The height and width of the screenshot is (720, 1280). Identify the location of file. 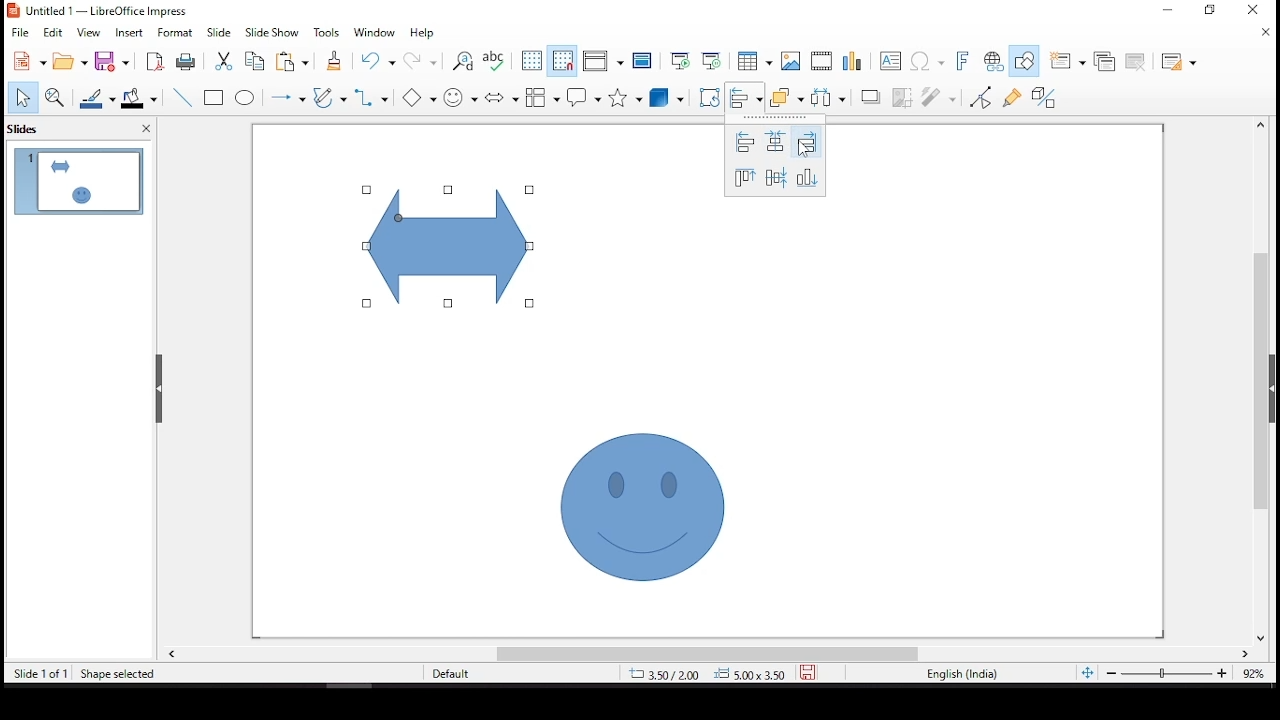
(20, 31).